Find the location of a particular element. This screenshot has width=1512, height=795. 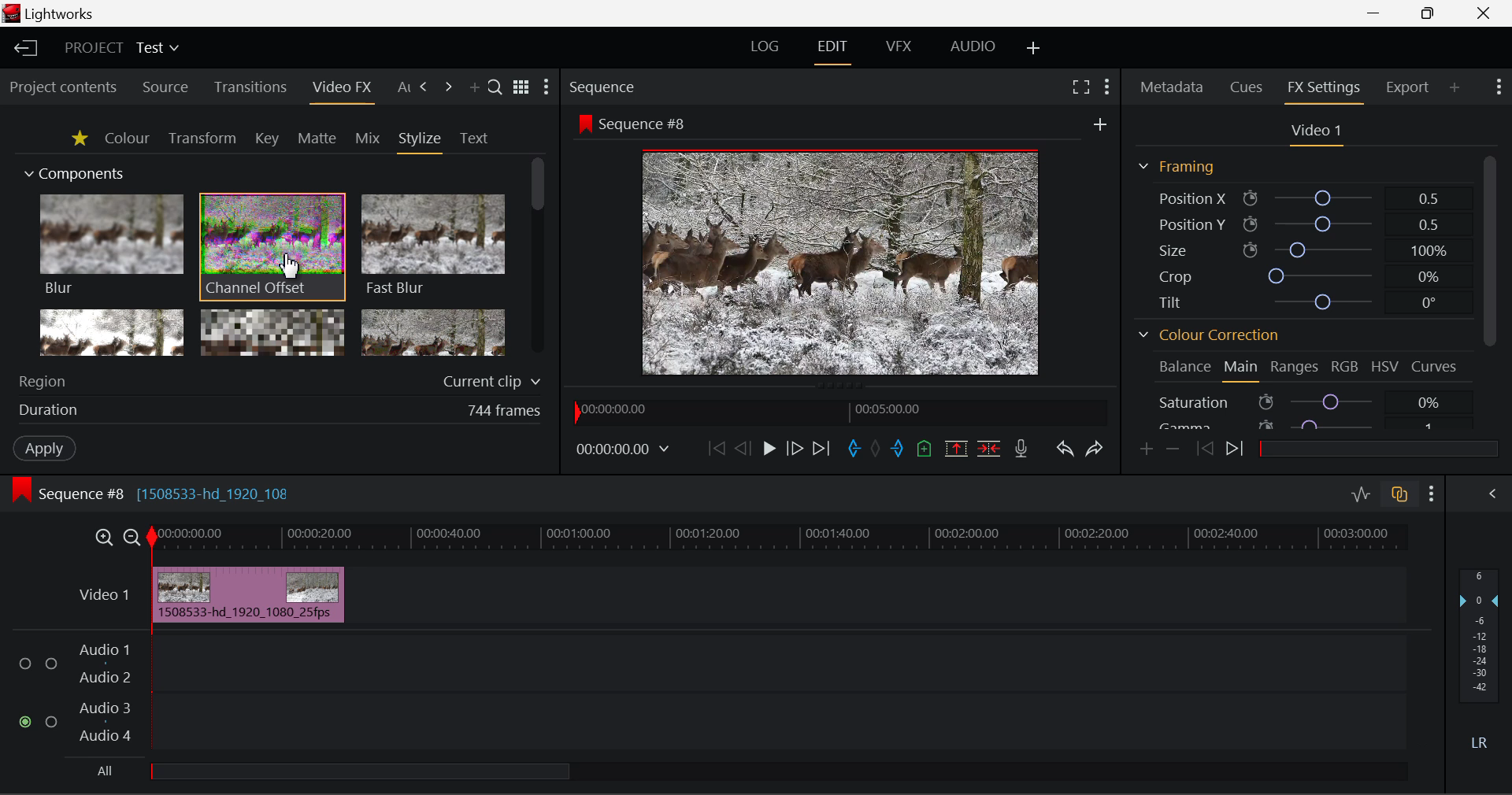

Project contents is located at coordinates (62, 88).